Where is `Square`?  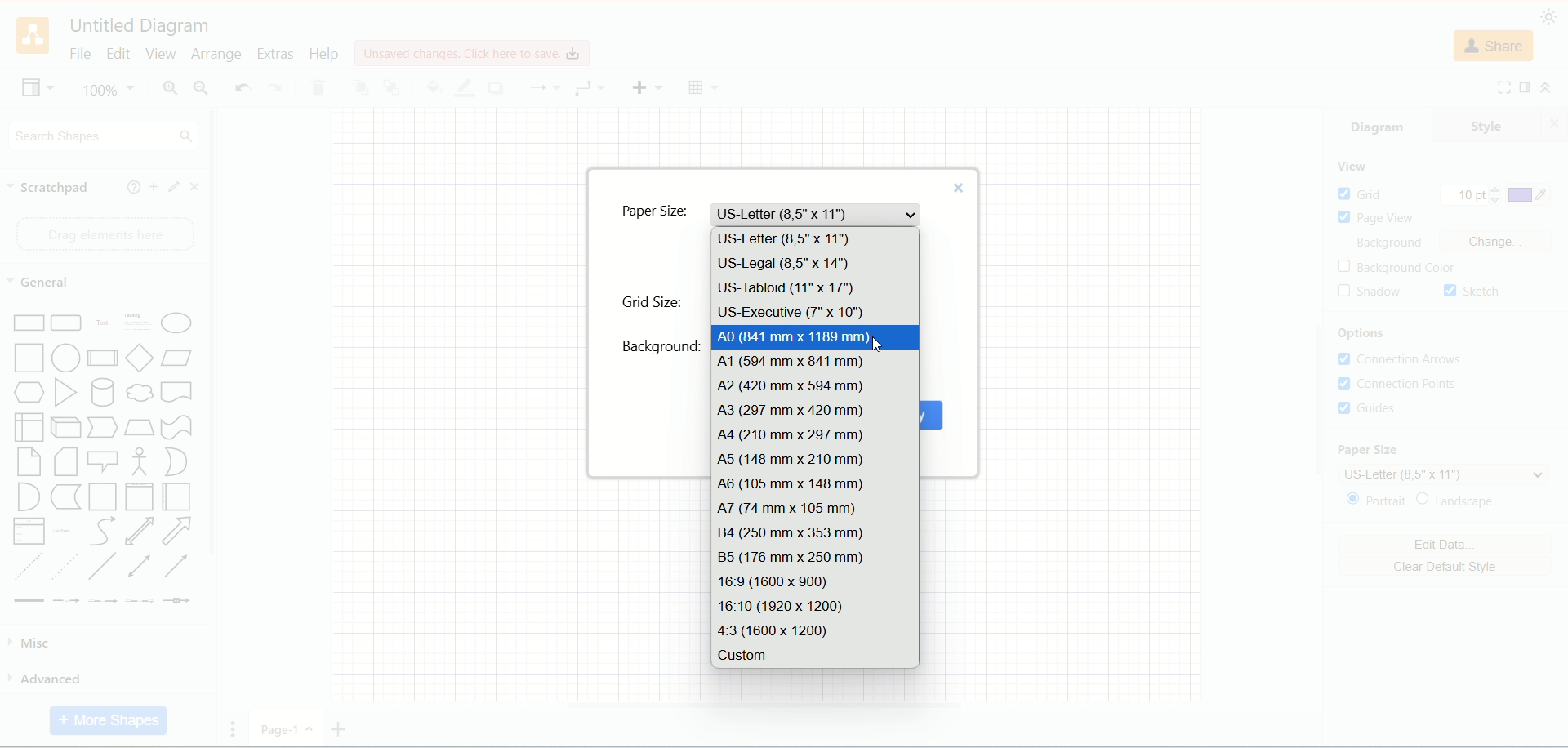
Square is located at coordinates (30, 359).